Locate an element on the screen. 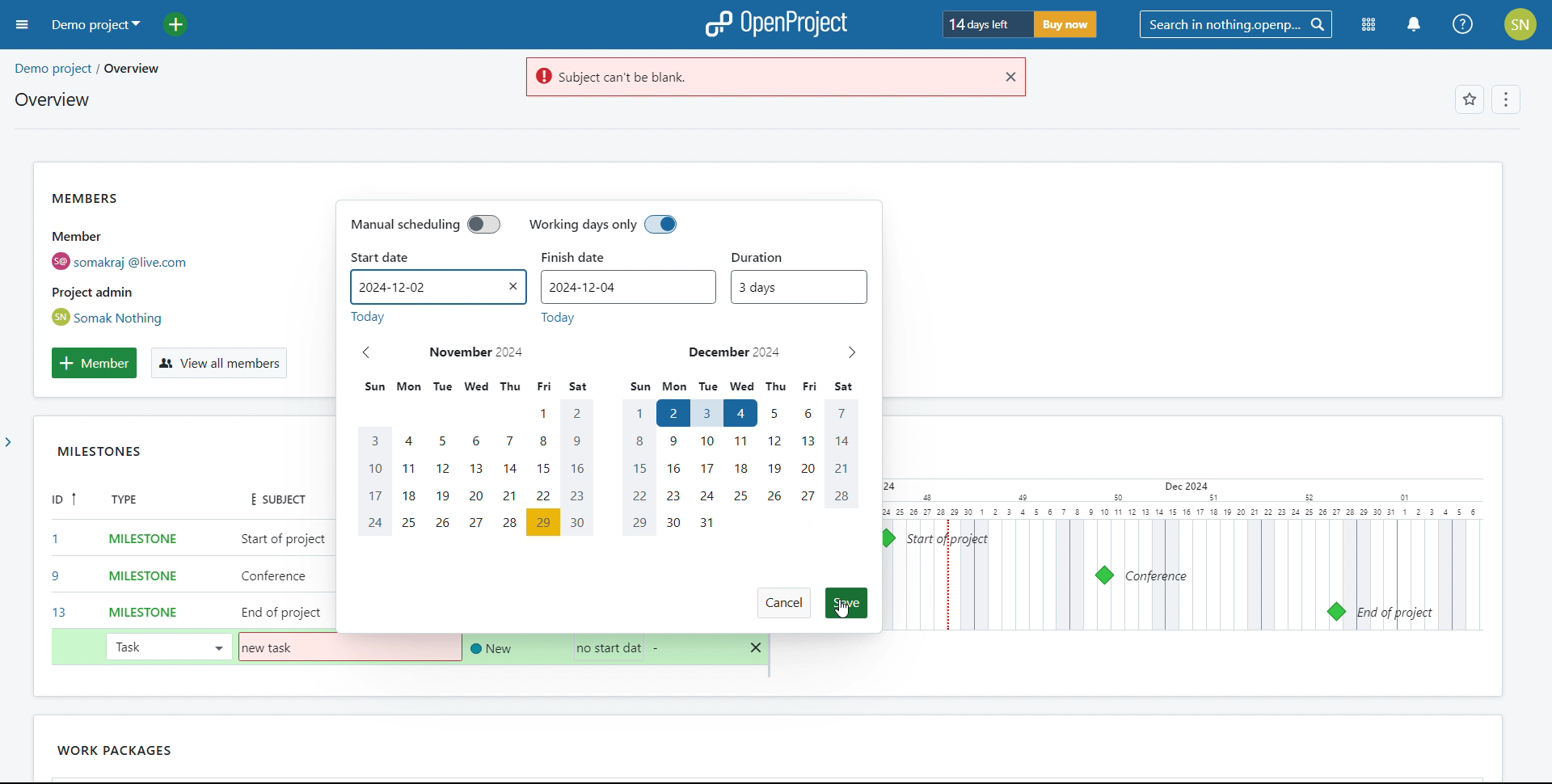  logo is located at coordinates (776, 24).